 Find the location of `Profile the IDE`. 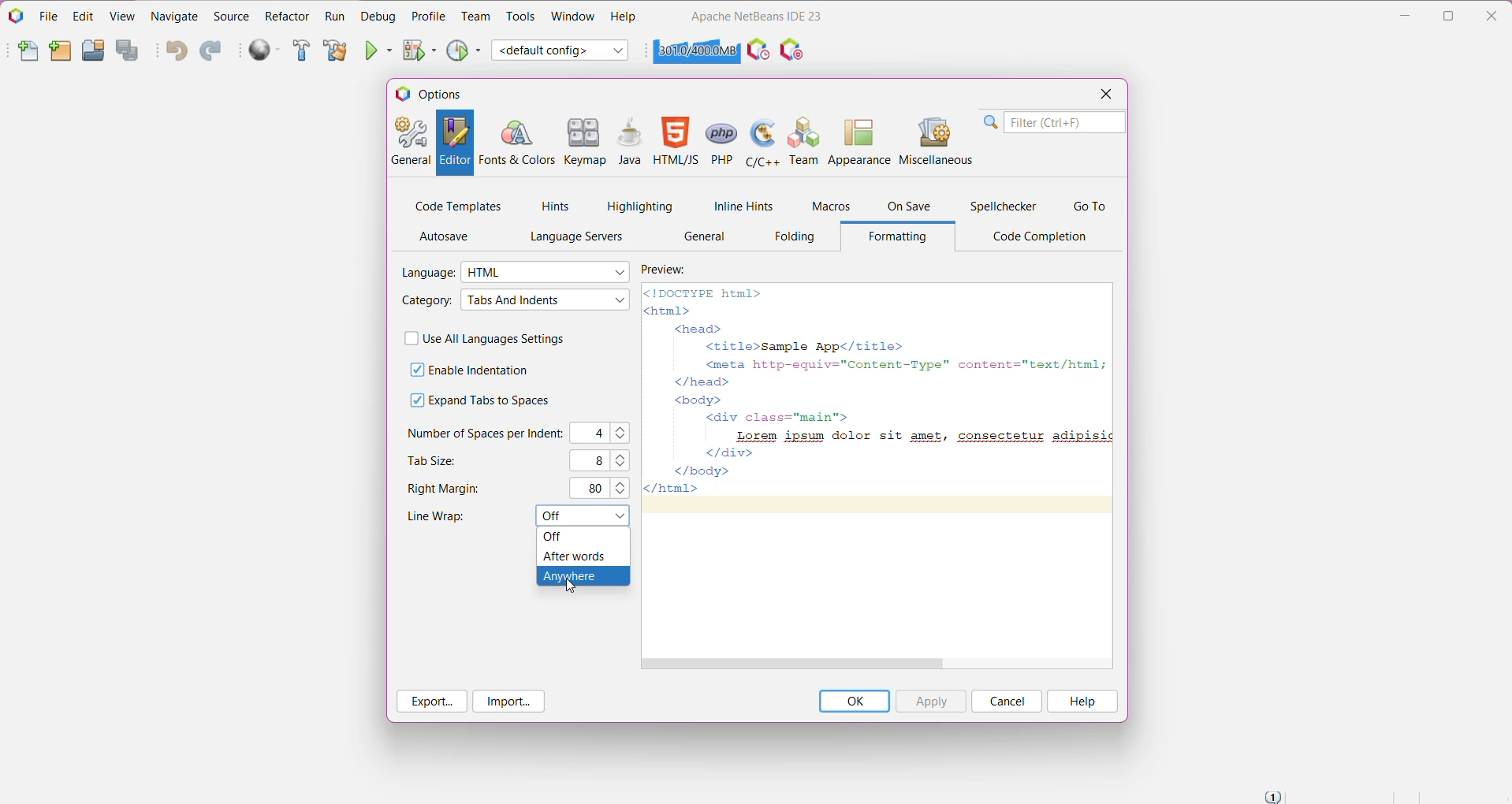

Profile the IDE is located at coordinates (760, 50).